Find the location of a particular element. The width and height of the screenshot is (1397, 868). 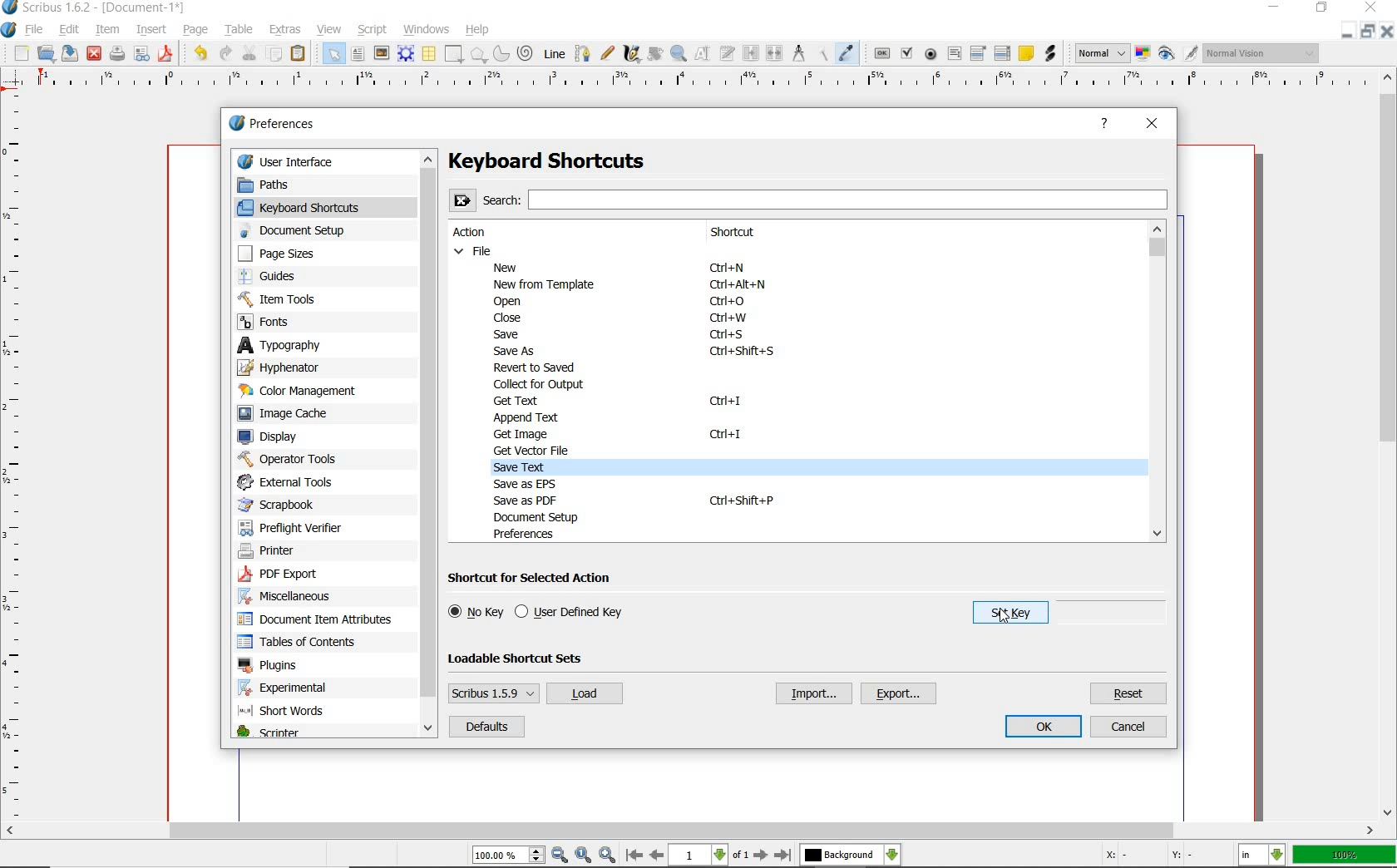

restore is located at coordinates (1323, 7).